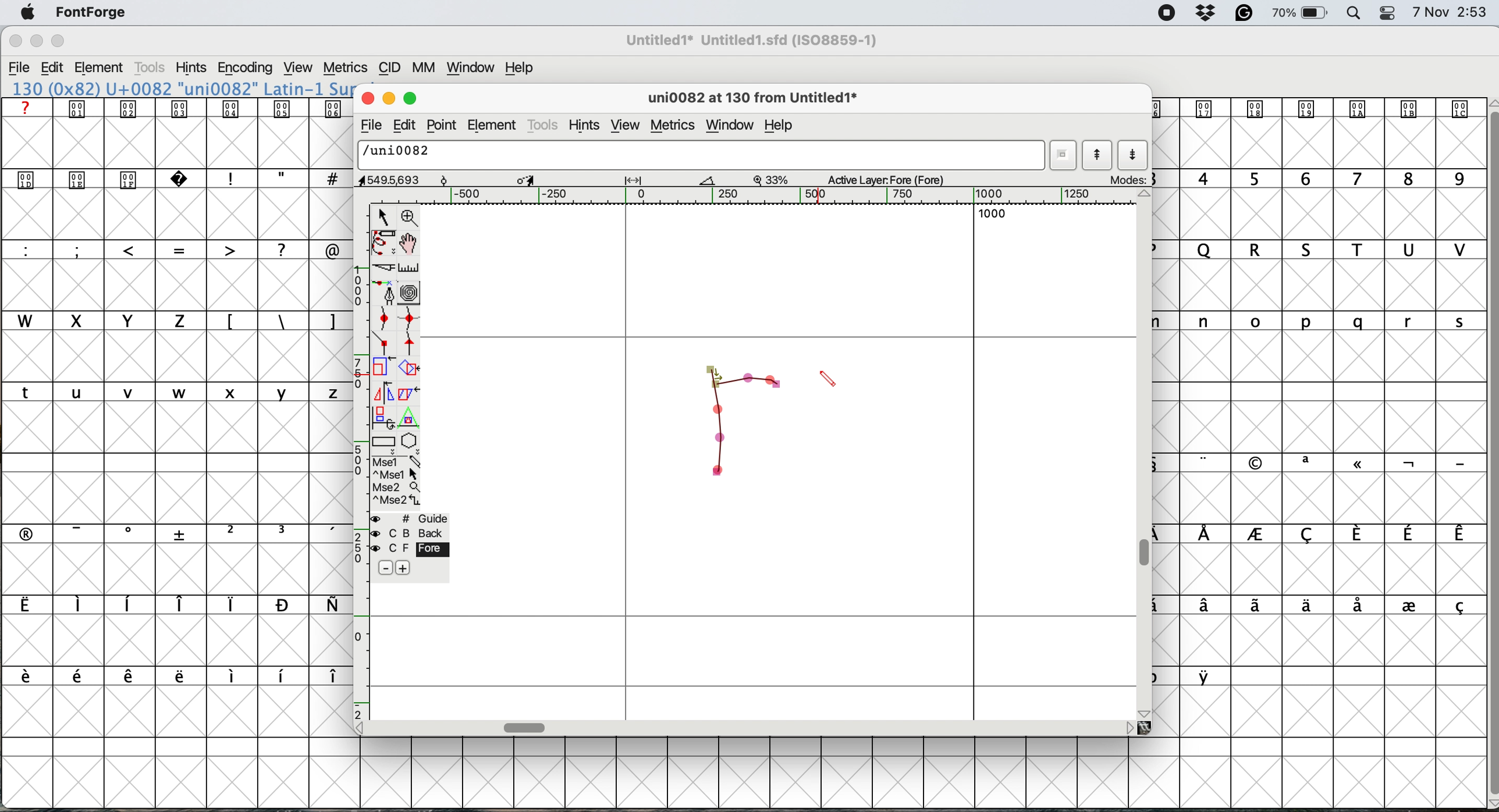 The height and width of the screenshot is (812, 1499). I want to click on close, so click(15, 42).